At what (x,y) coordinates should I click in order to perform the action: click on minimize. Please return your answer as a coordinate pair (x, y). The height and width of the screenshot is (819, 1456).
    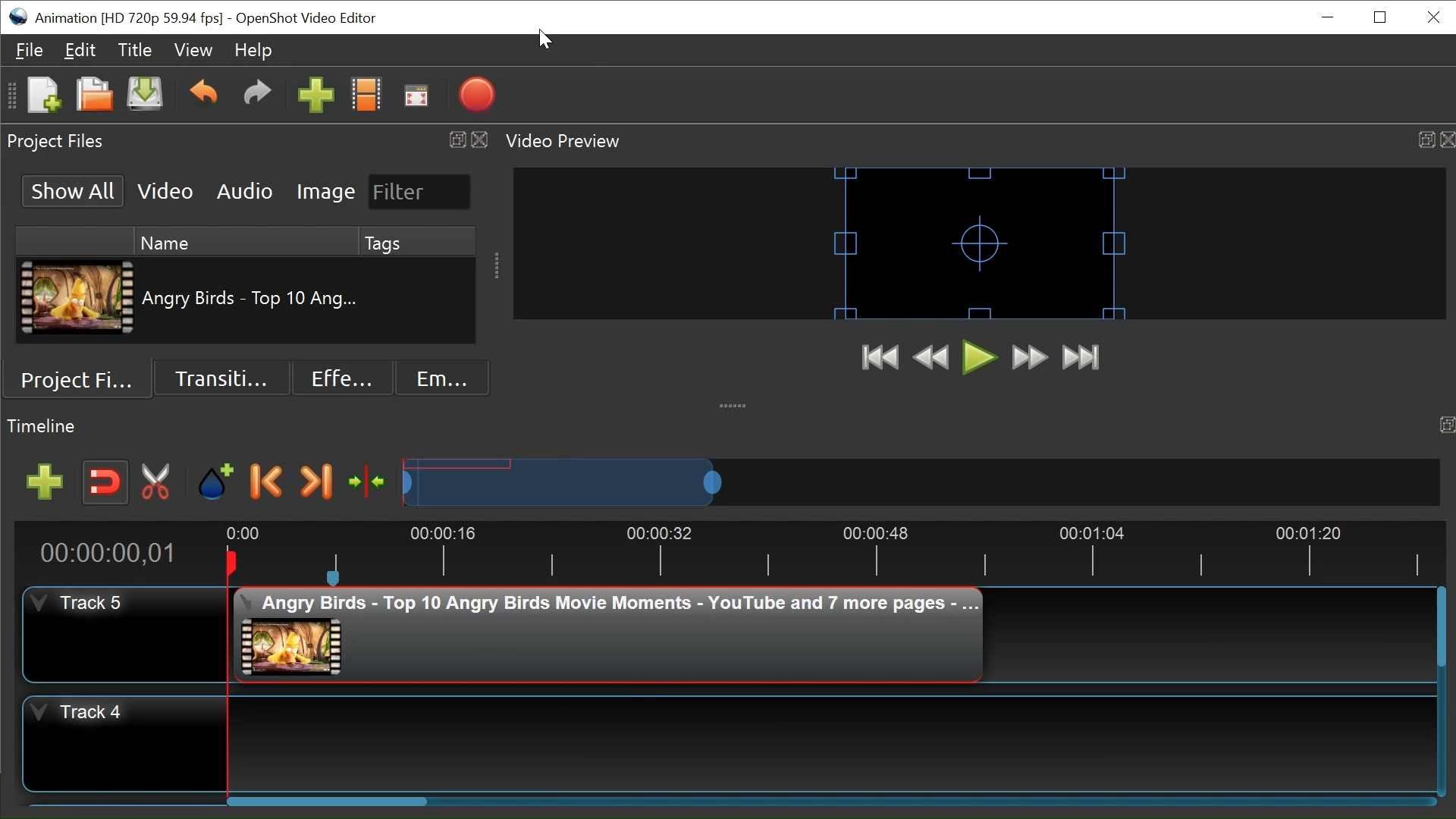
    Looking at the image, I should click on (1329, 17).